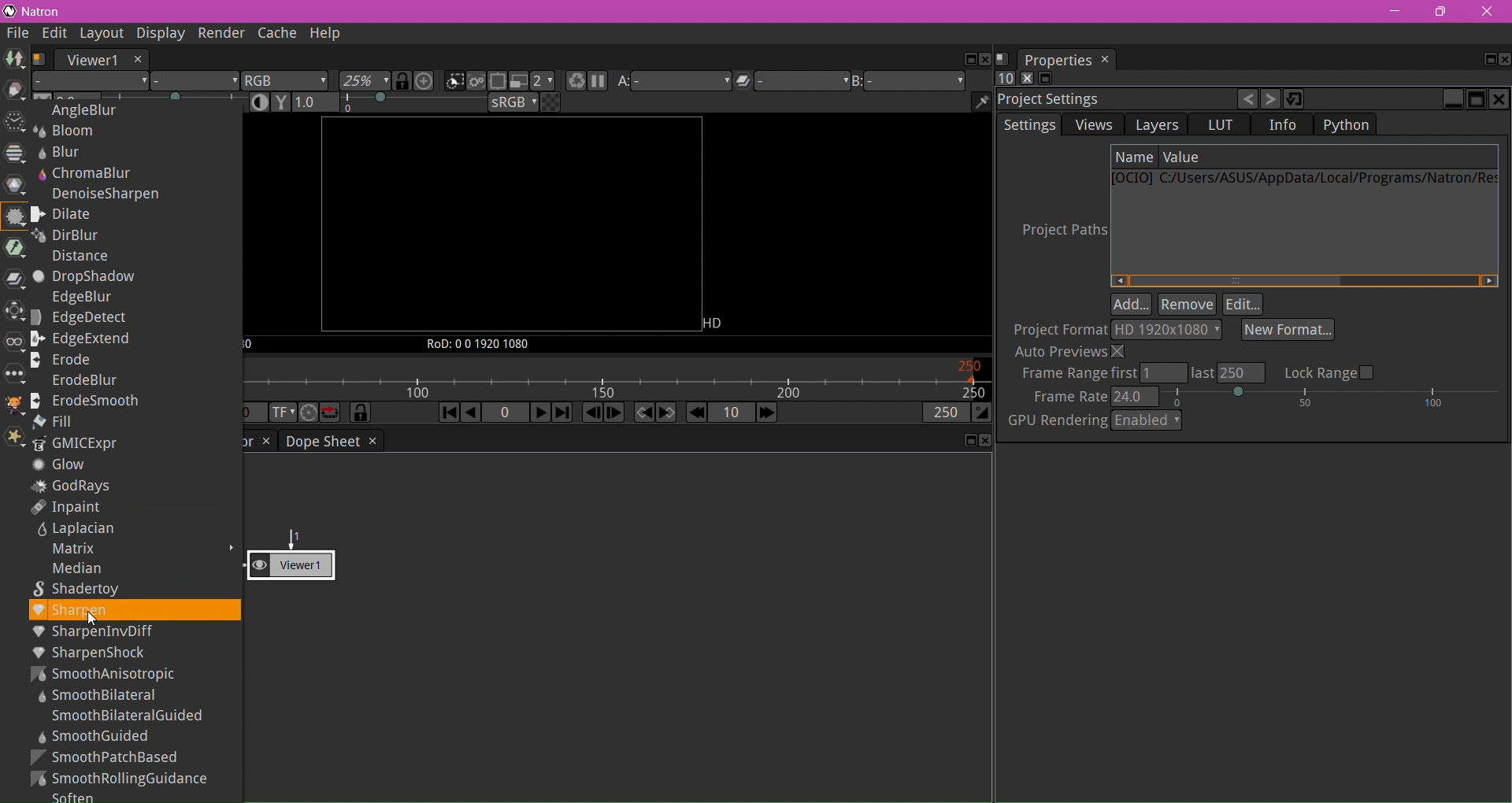 The image size is (1512, 803). What do you see at coordinates (14, 375) in the screenshot?
I see `Other` at bounding box center [14, 375].